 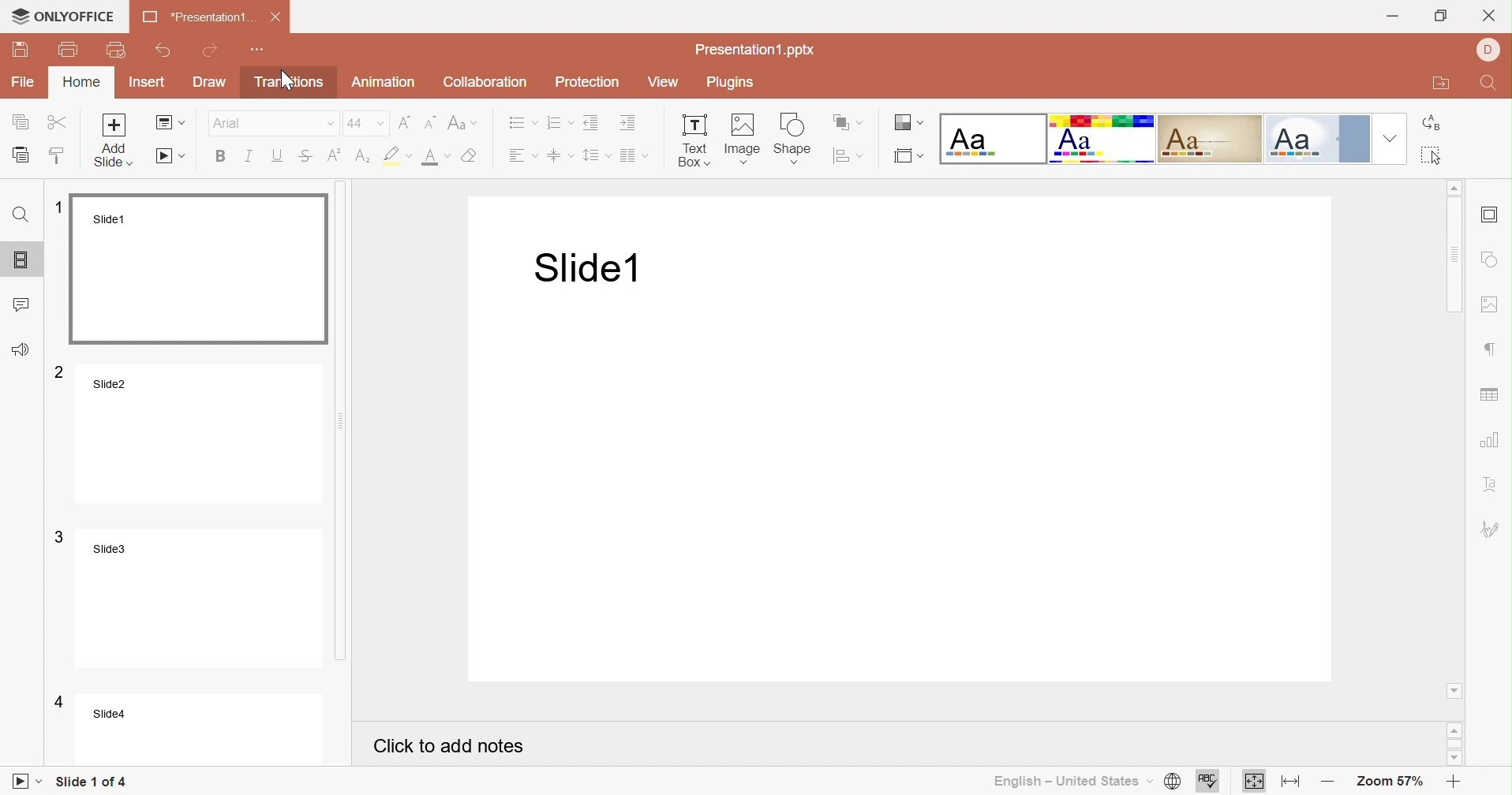 What do you see at coordinates (1494, 530) in the screenshot?
I see `Signature` at bounding box center [1494, 530].